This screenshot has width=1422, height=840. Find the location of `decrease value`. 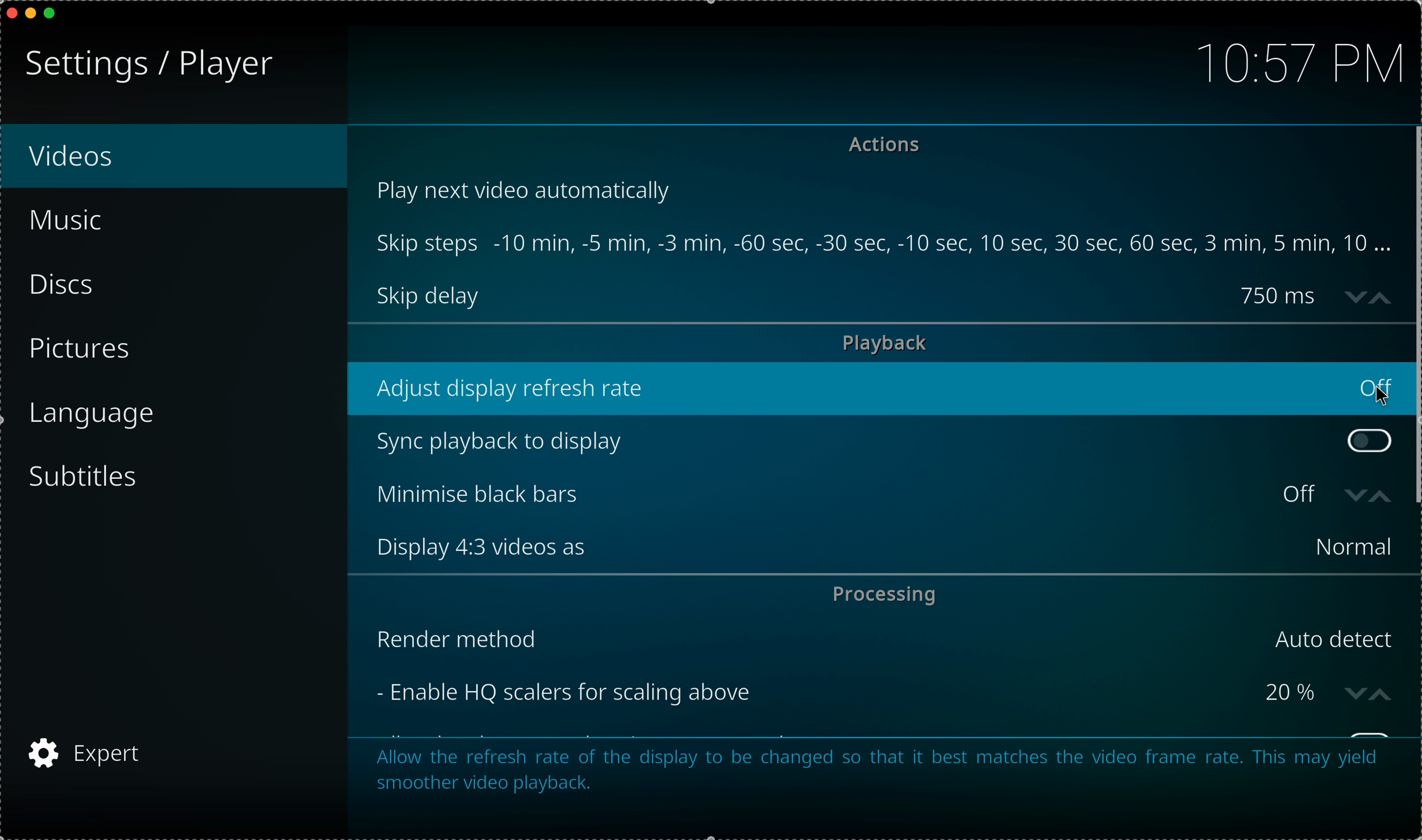

decrease value is located at coordinates (1355, 296).